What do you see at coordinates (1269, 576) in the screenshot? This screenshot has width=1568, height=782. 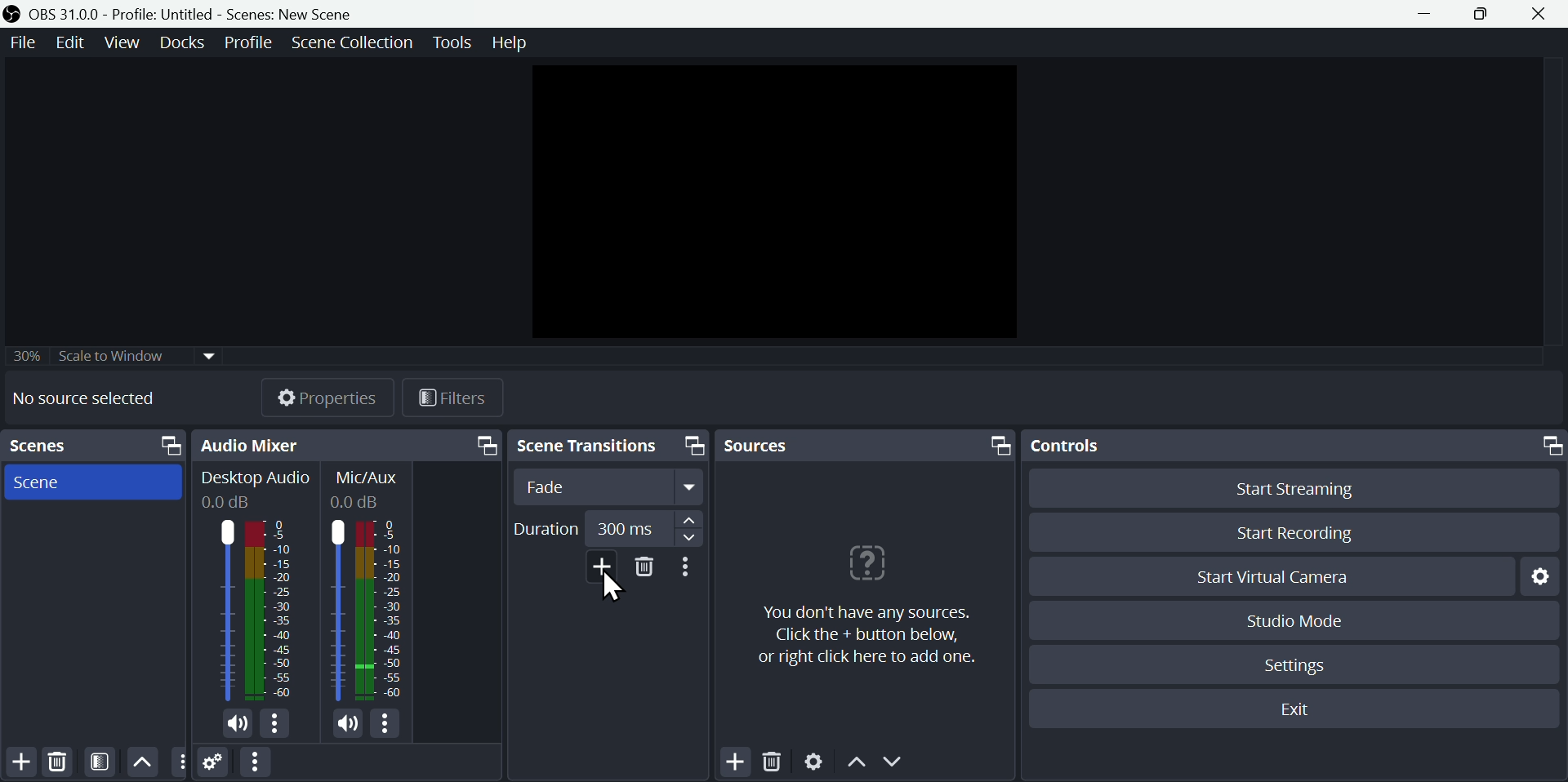 I see `Start virtual camera` at bounding box center [1269, 576].